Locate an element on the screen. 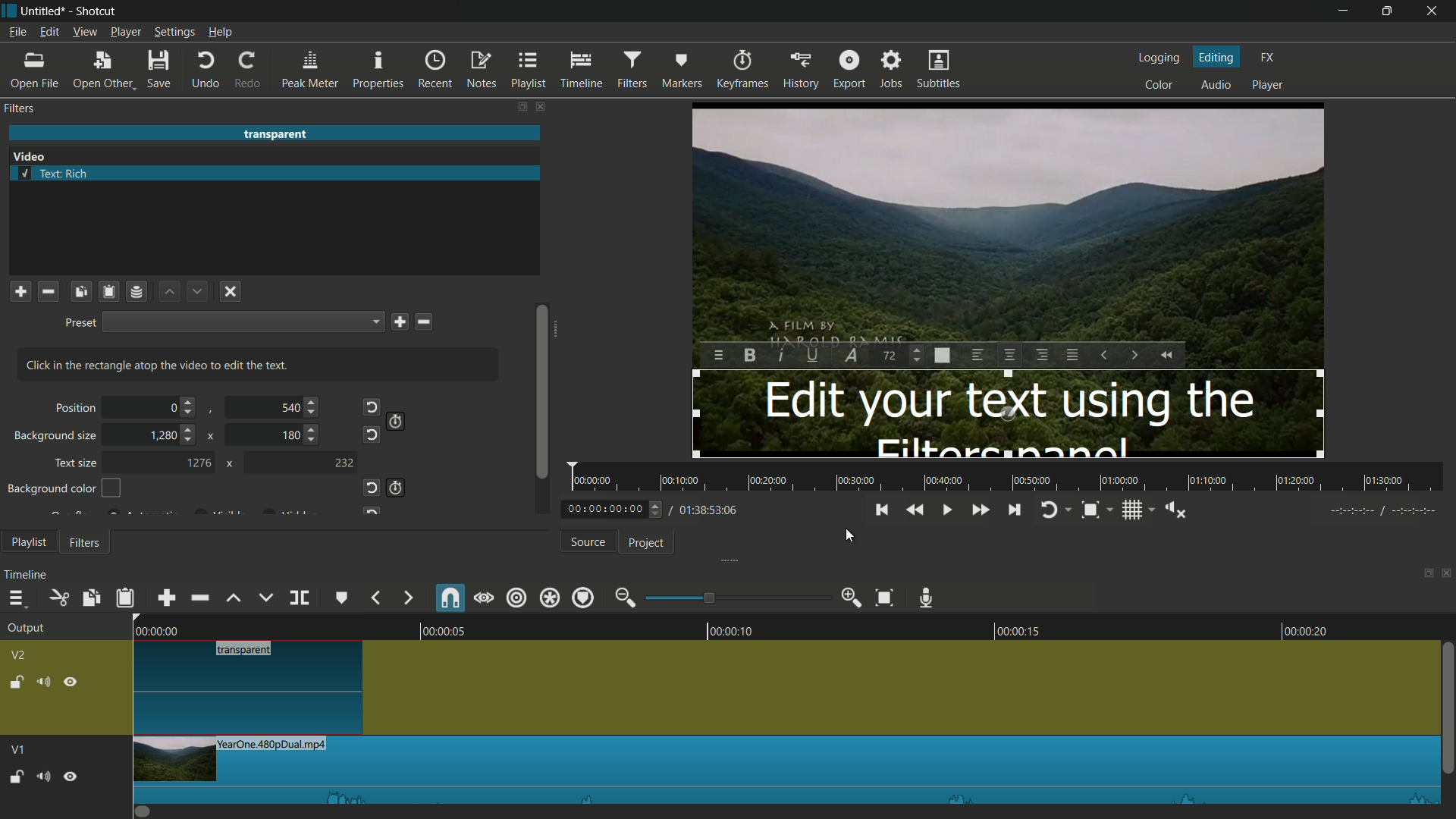 This screenshot has height=819, width=1456. cursor is located at coordinates (850, 536).